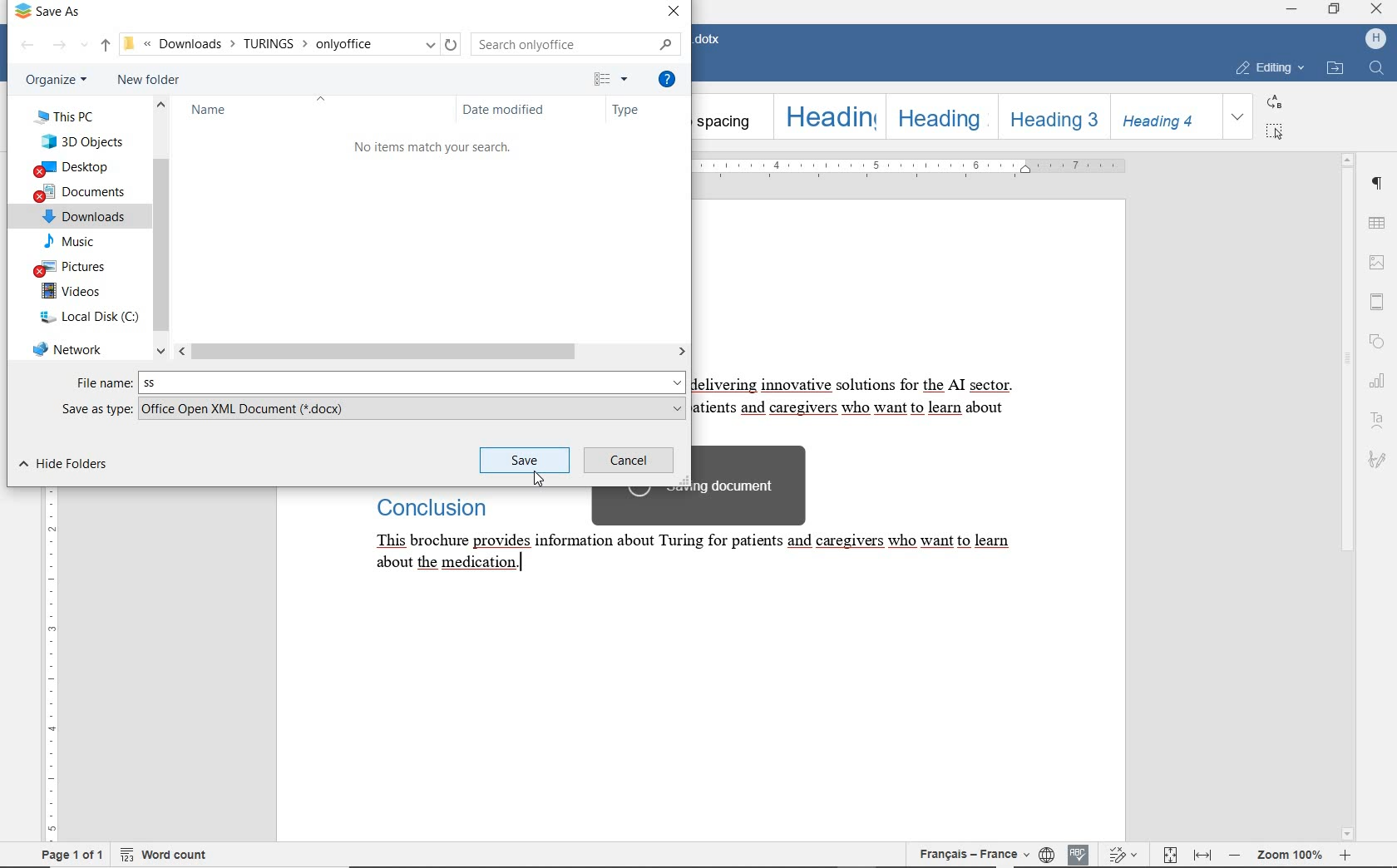  Describe the element at coordinates (1380, 342) in the screenshot. I see `SHAPE` at that location.